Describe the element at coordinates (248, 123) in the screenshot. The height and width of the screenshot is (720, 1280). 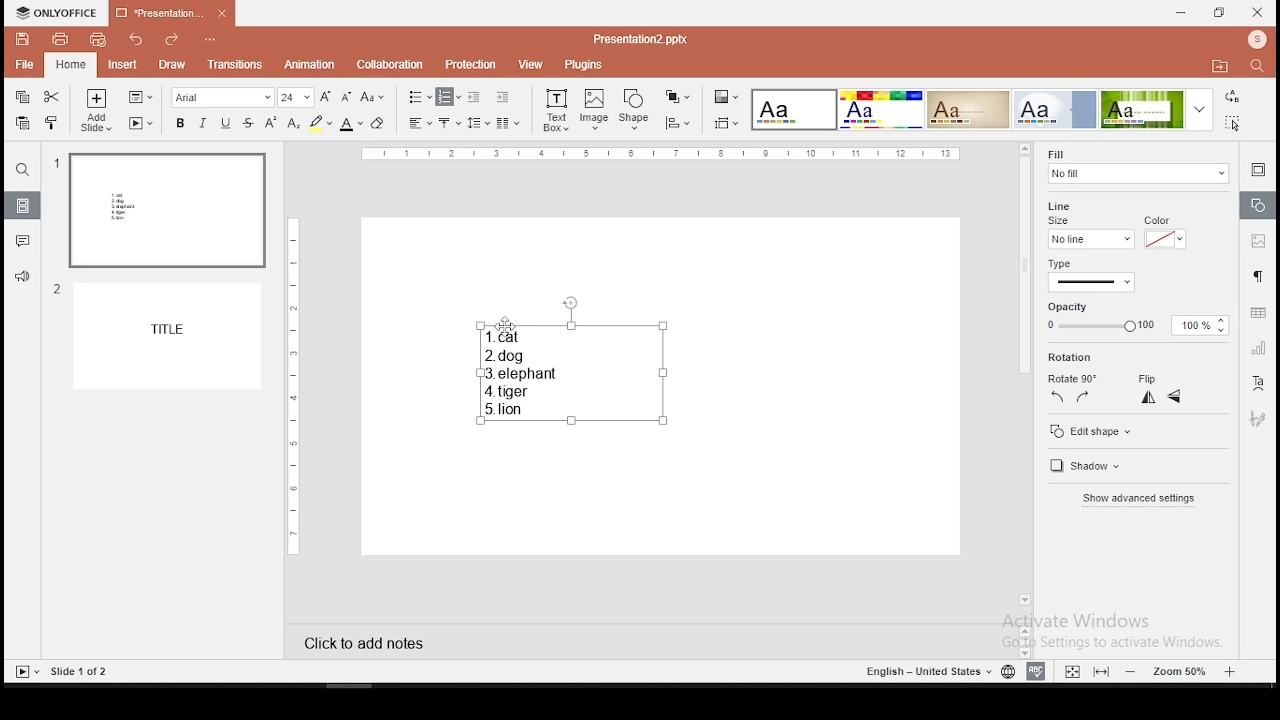
I see `strikethrough` at that location.